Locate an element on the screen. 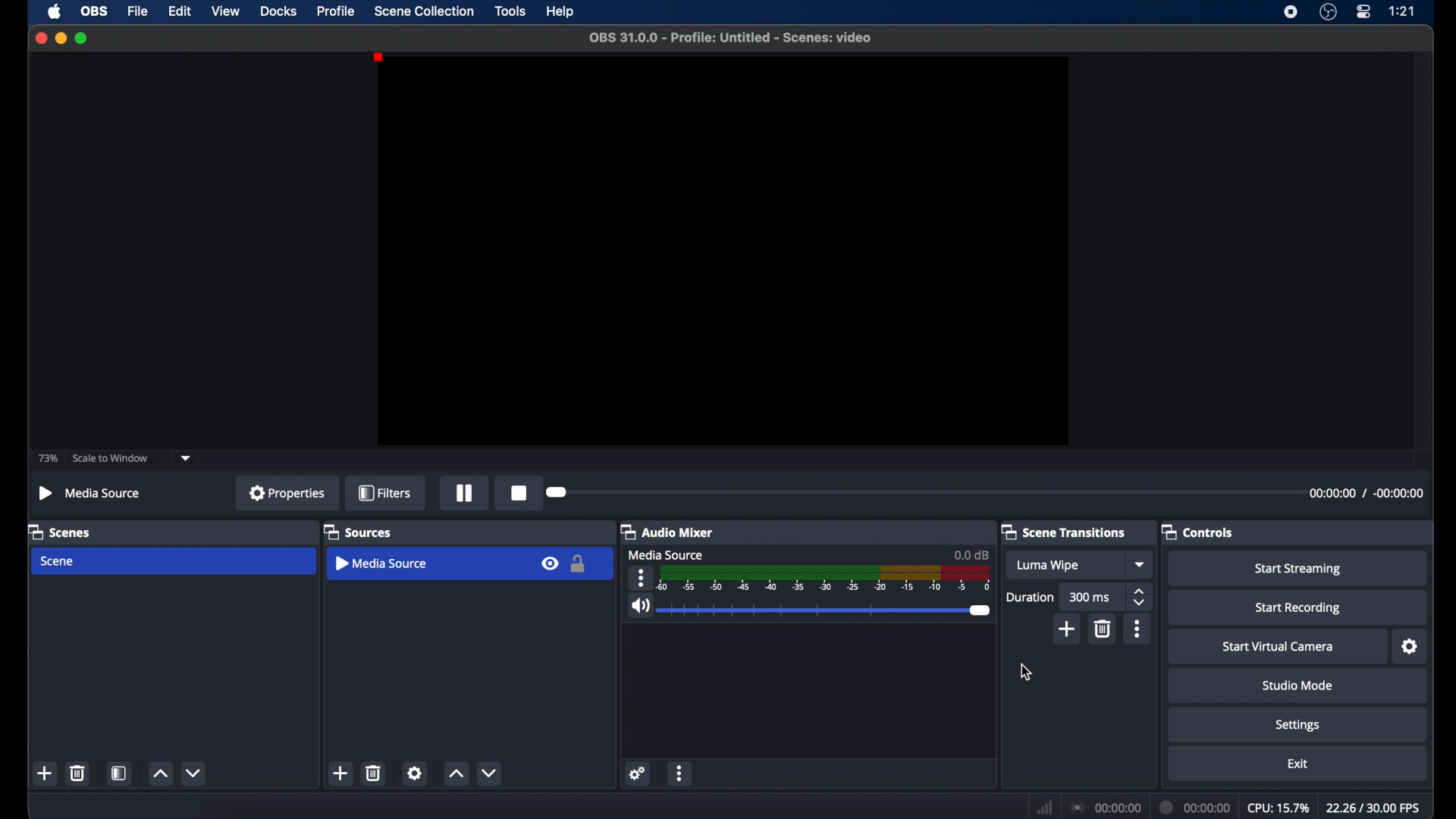 This screenshot has width=1456, height=819. stop is located at coordinates (519, 494).